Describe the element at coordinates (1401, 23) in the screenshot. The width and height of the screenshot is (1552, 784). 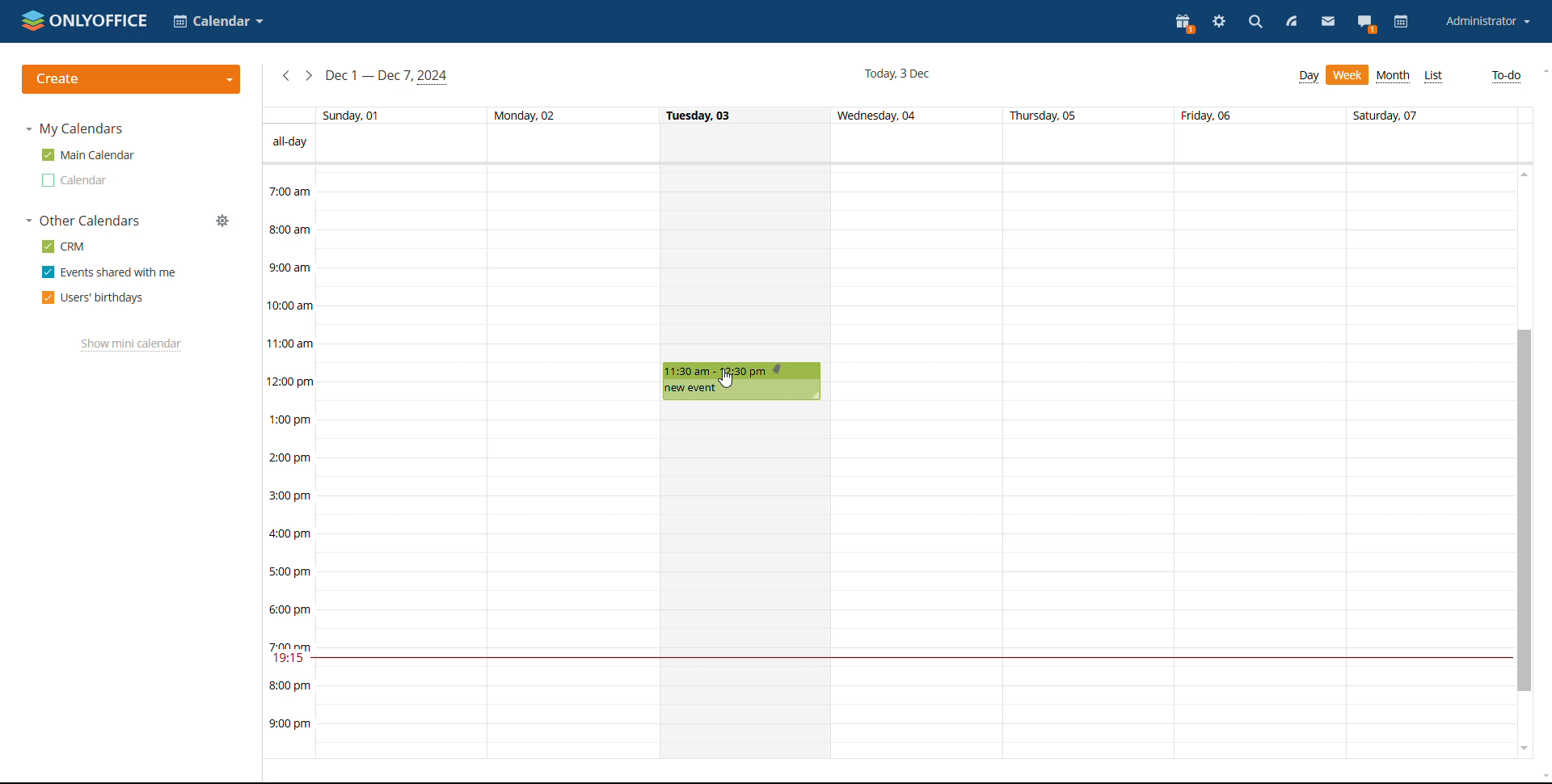
I see `calendar` at that location.